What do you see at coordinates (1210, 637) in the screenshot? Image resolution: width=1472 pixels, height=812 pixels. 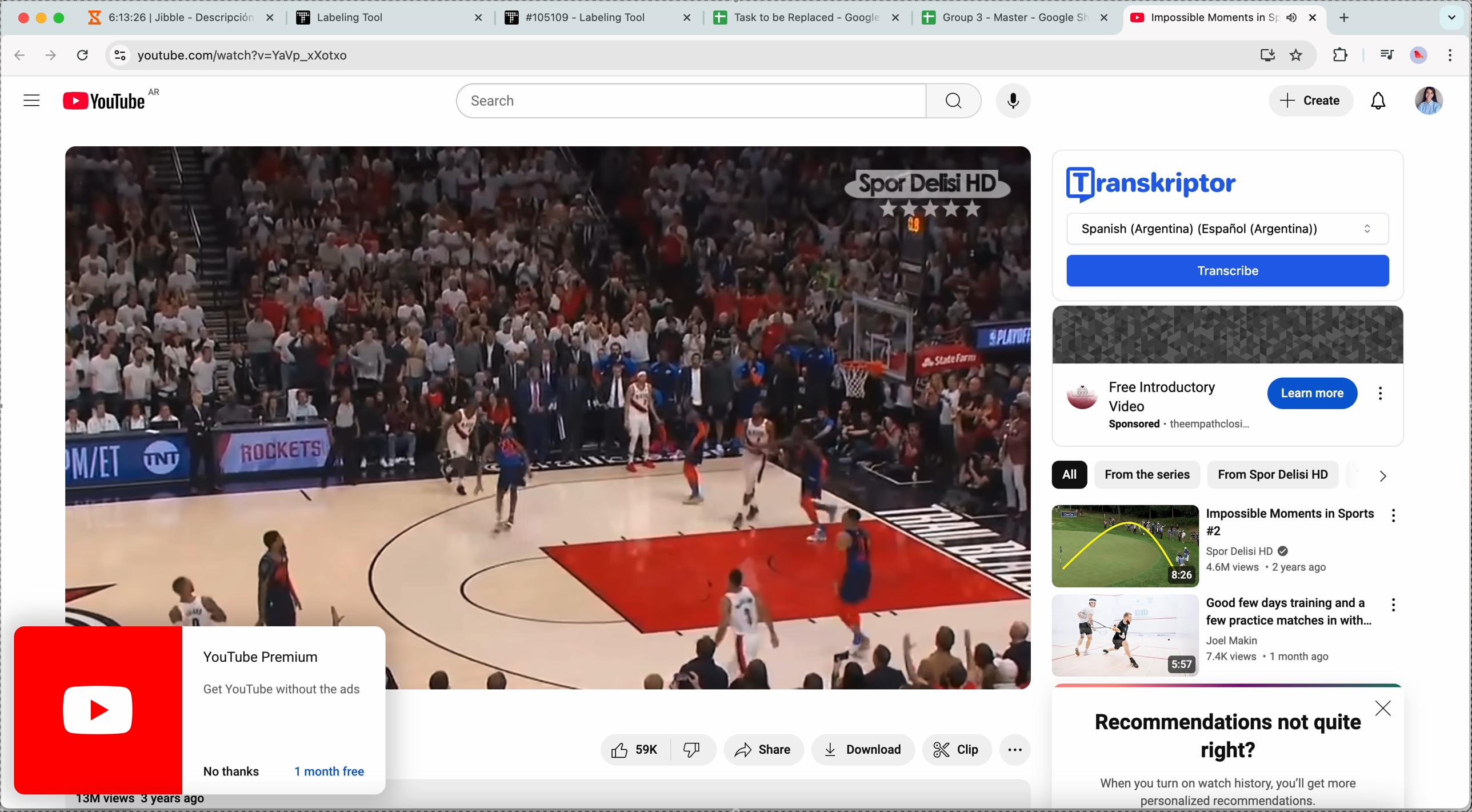 I see `video` at bounding box center [1210, 637].